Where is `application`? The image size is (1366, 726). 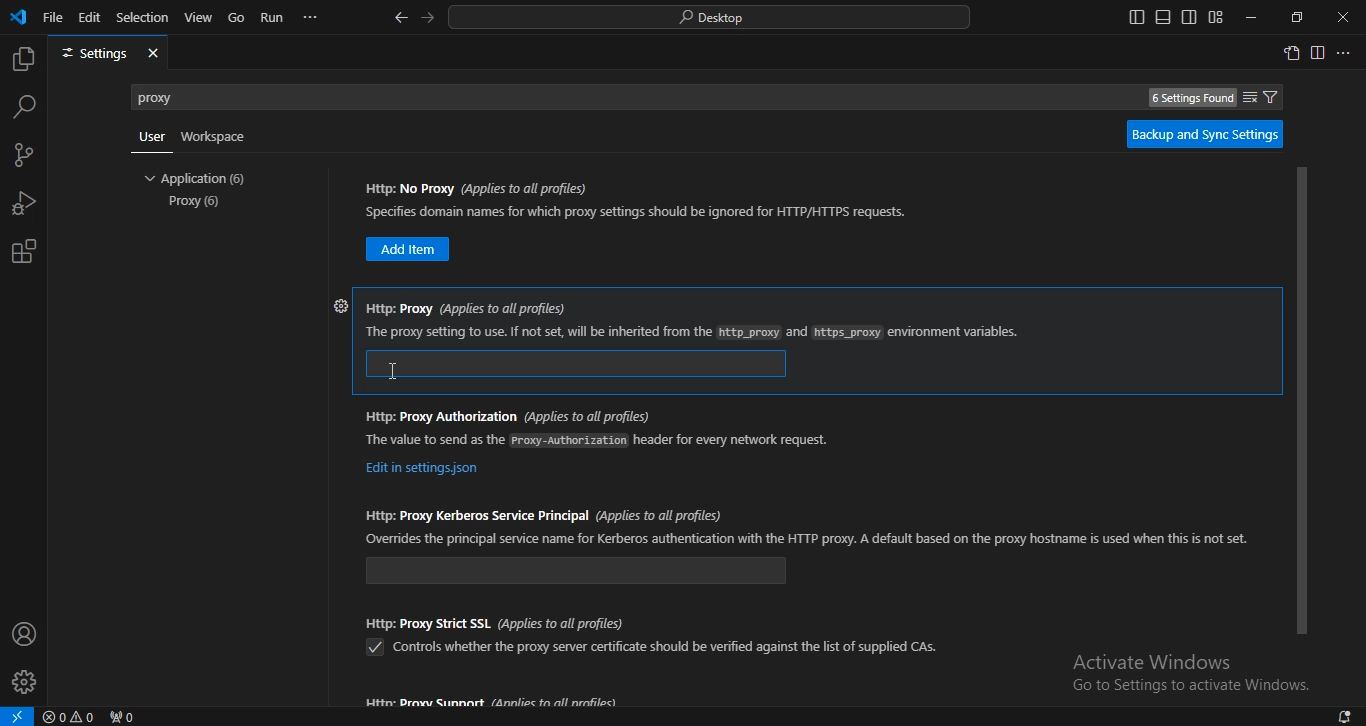 application is located at coordinates (200, 178).